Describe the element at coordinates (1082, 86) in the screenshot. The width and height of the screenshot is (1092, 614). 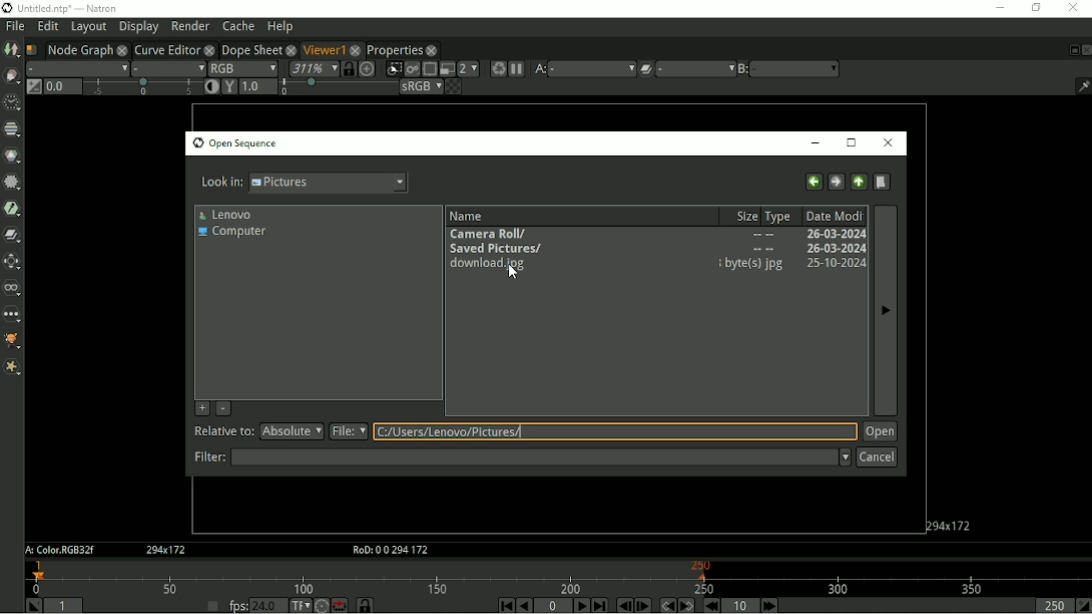
I see `Show/hide information bar` at that location.